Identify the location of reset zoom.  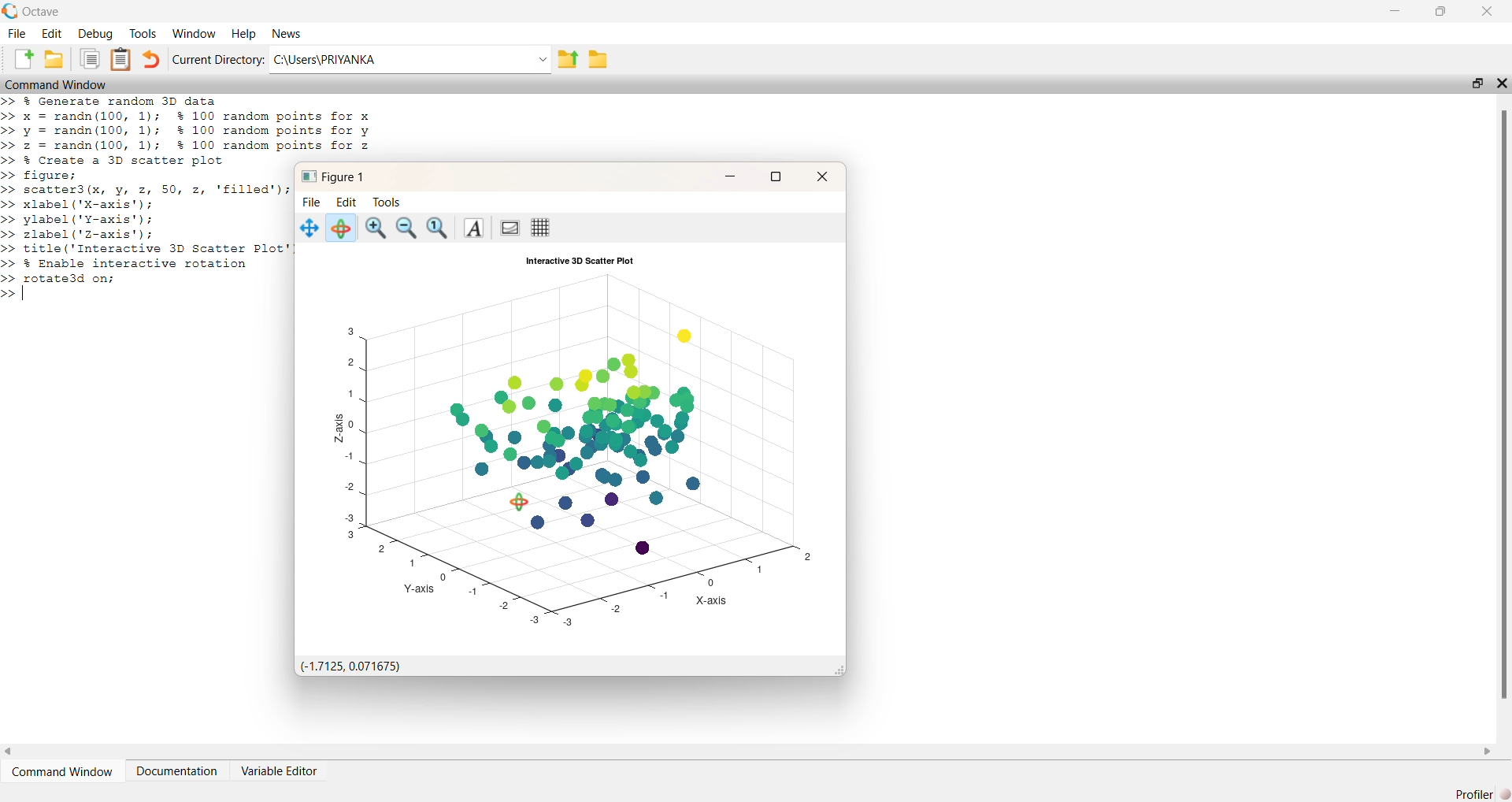
(439, 228).